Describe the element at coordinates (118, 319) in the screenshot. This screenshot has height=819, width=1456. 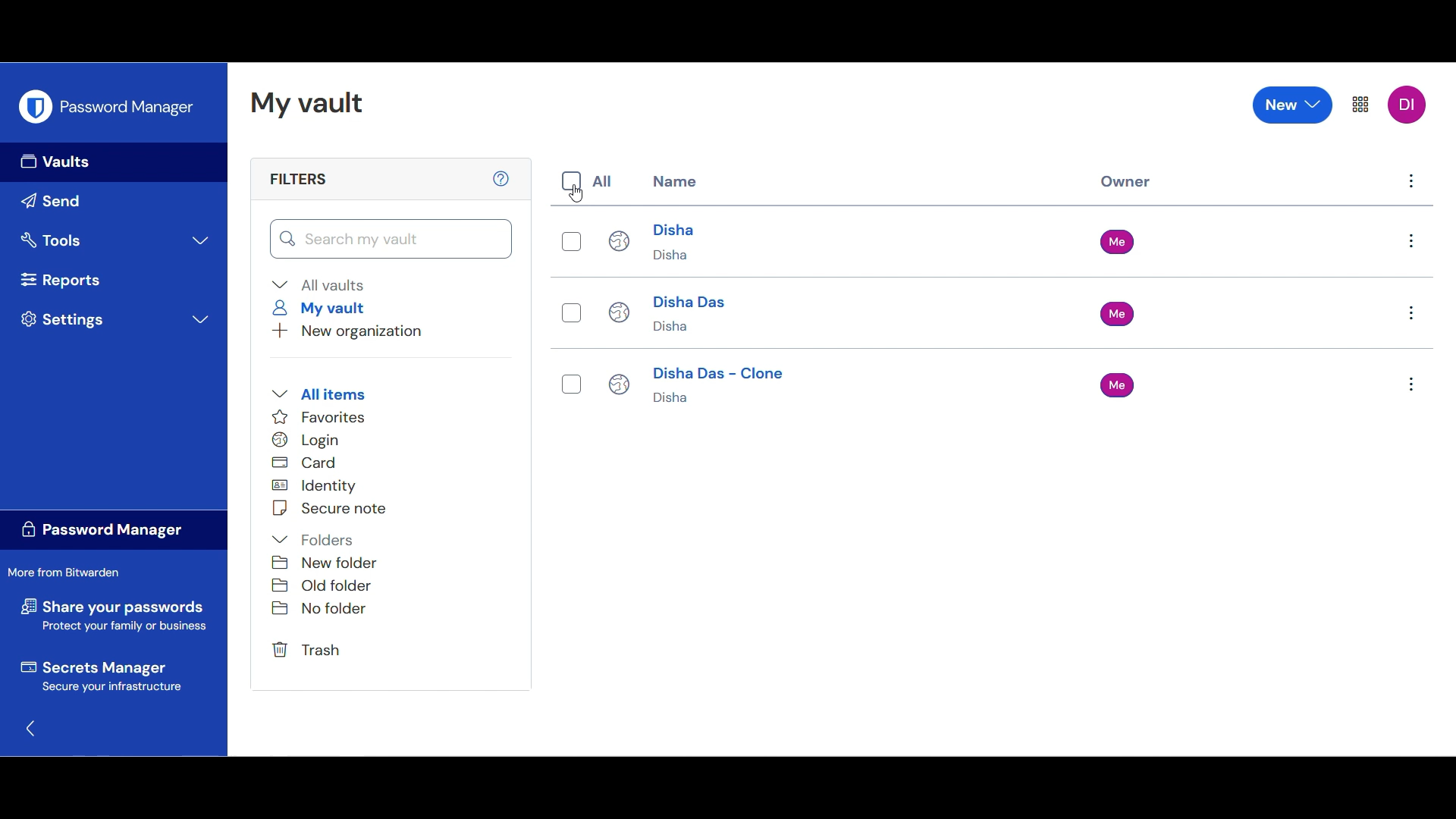
I see `Expand settings` at that location.